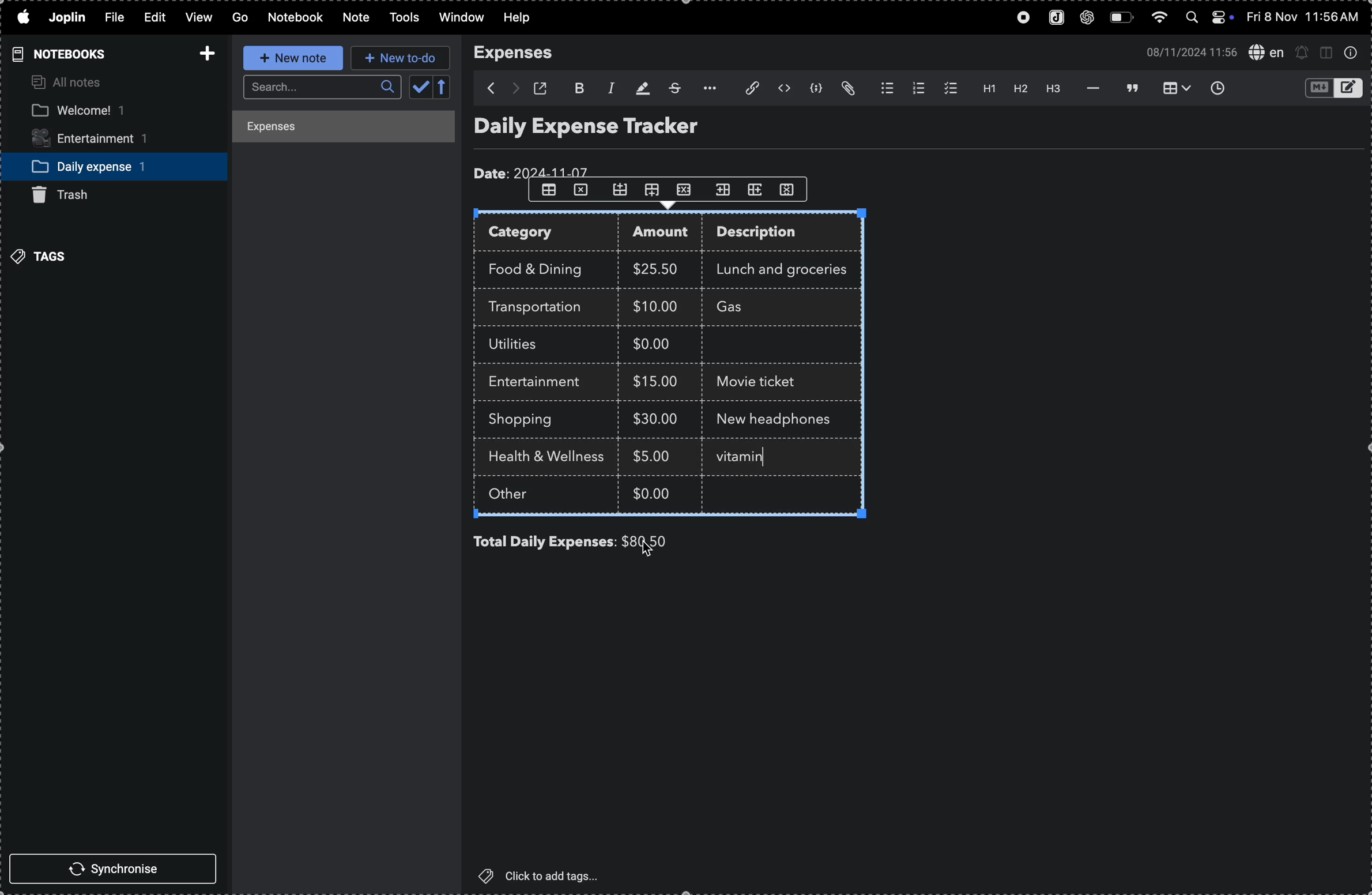 The height and width of the screenshot is (895, 1372). What do you see at coordinates (529, 420) in the screenshot?
I see `shopping` at bounding box center [529, 420].